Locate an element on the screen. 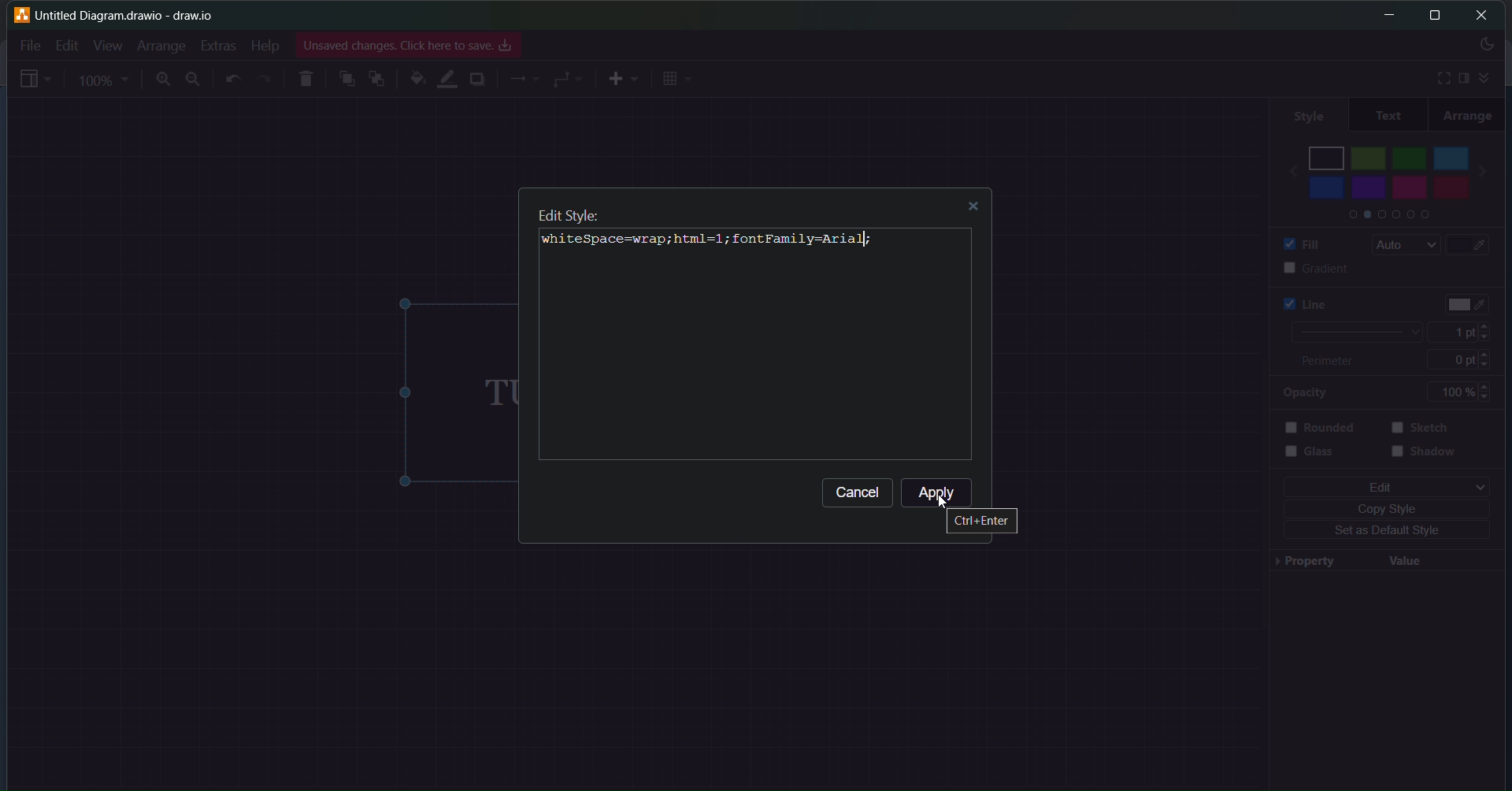 The height and width of the screenshot is (791, 1512). logo is located at coordinates (20, 14).